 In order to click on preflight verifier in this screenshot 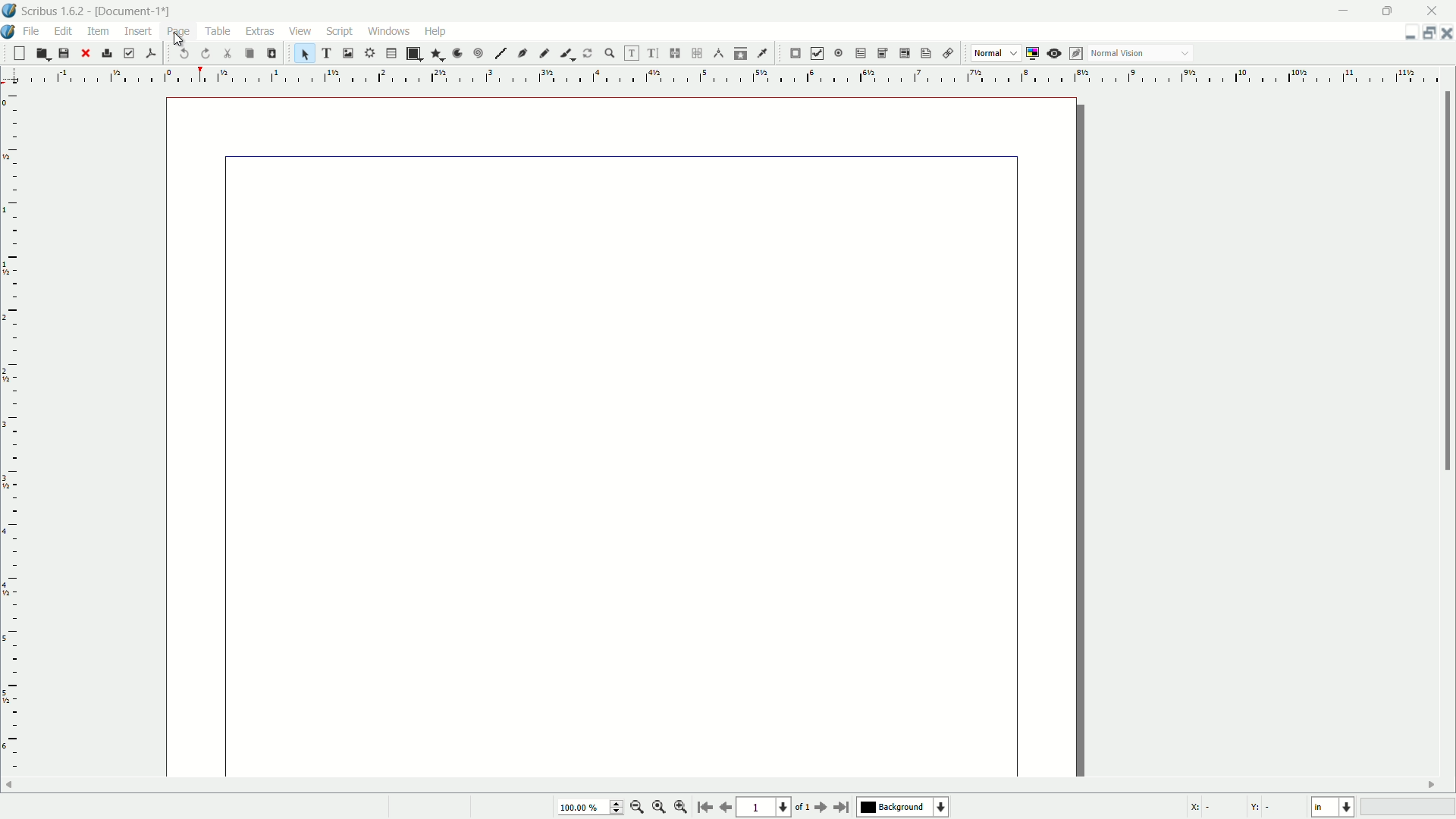, I will do `click(129, 54)`.